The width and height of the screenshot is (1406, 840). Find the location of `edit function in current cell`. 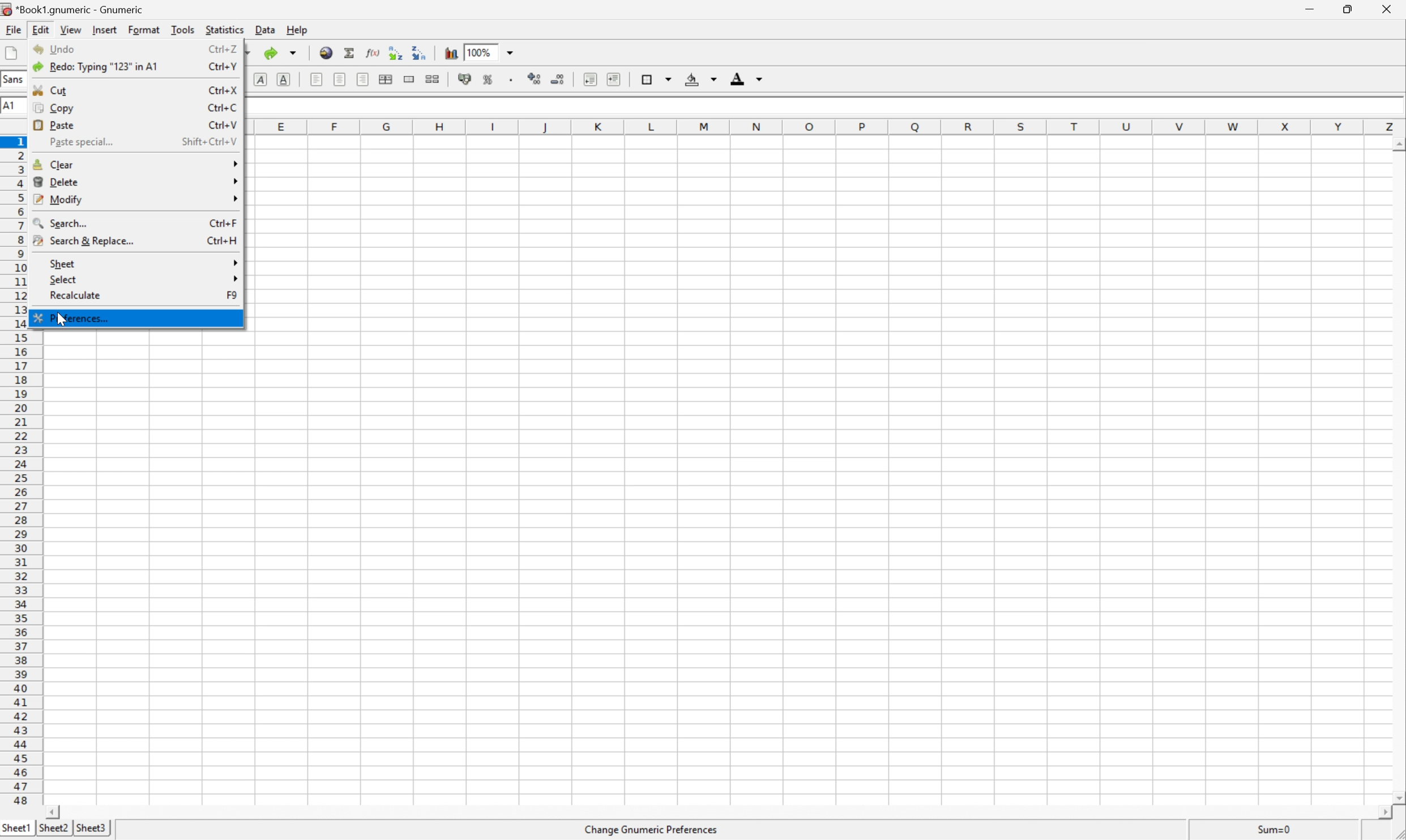

edit function in current cell is located at coordinates (374, 52).